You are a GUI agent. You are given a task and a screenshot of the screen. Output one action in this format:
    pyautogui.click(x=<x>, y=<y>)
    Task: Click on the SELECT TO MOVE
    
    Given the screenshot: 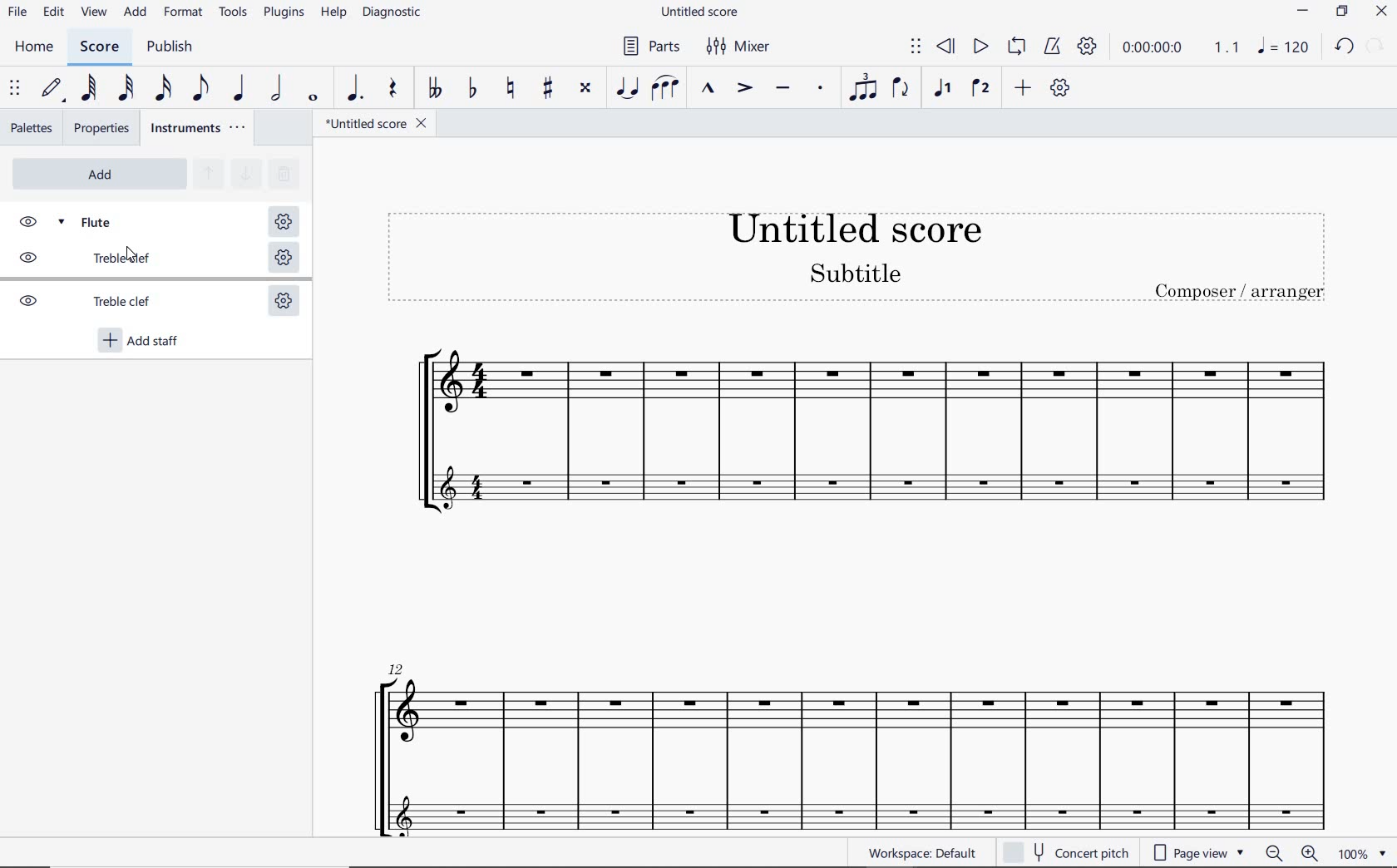 What is the action you would take?
    pyautogui.click(x=915, y=47)
    